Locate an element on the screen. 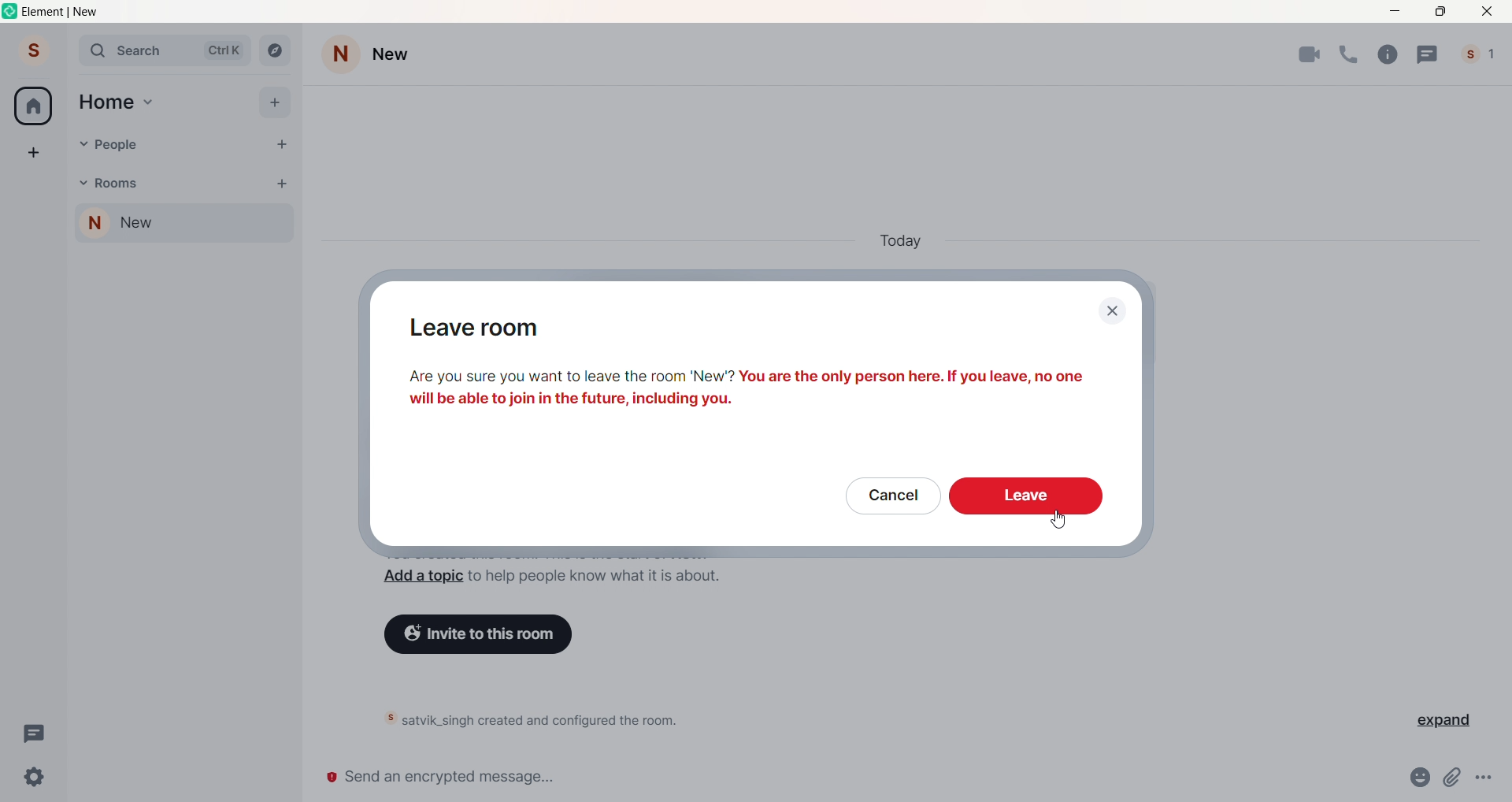  Add a topic is located at coordinates (419, 579).